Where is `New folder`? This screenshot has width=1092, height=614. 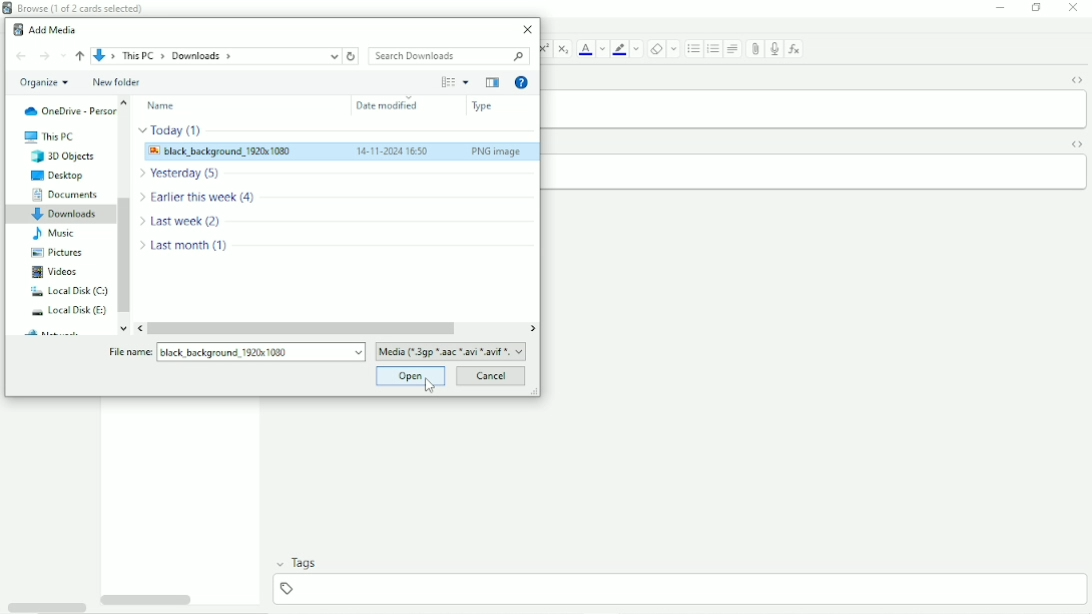 New folder is located at coordinates (116, 82).